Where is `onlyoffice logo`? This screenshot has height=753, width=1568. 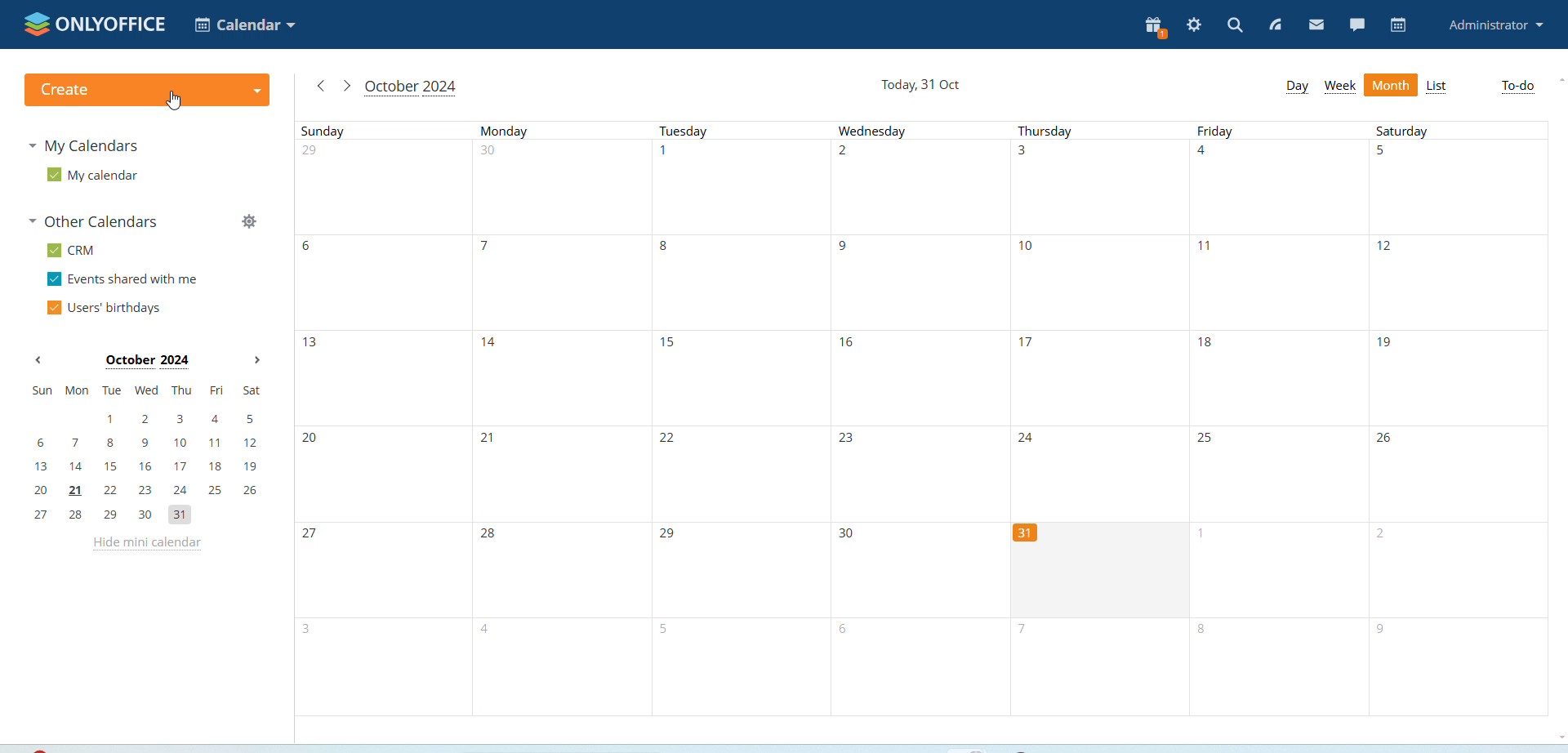
onlyoffice logo is located at coordinates (95, 24).